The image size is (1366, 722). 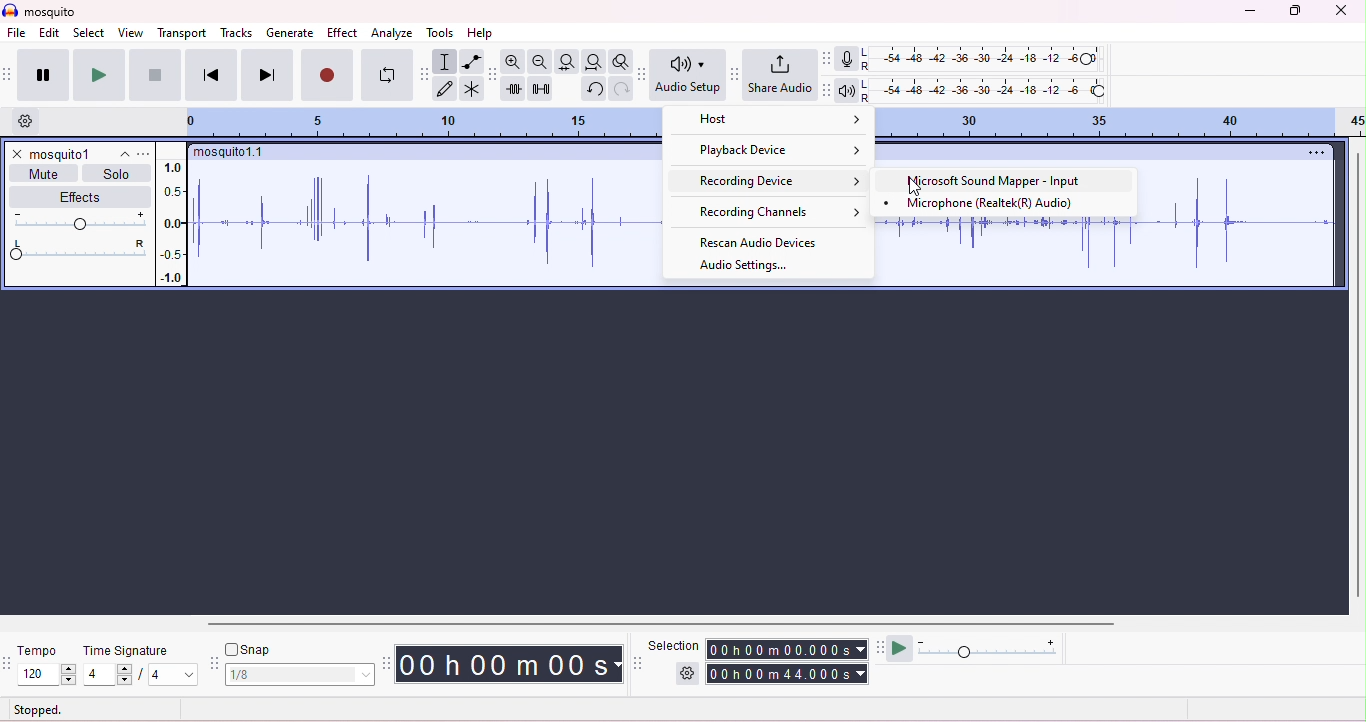 What do you see at coordinates (826, 90) in the screenshot?
I see `audio set up tool bar` at bounding box center [826, 90].